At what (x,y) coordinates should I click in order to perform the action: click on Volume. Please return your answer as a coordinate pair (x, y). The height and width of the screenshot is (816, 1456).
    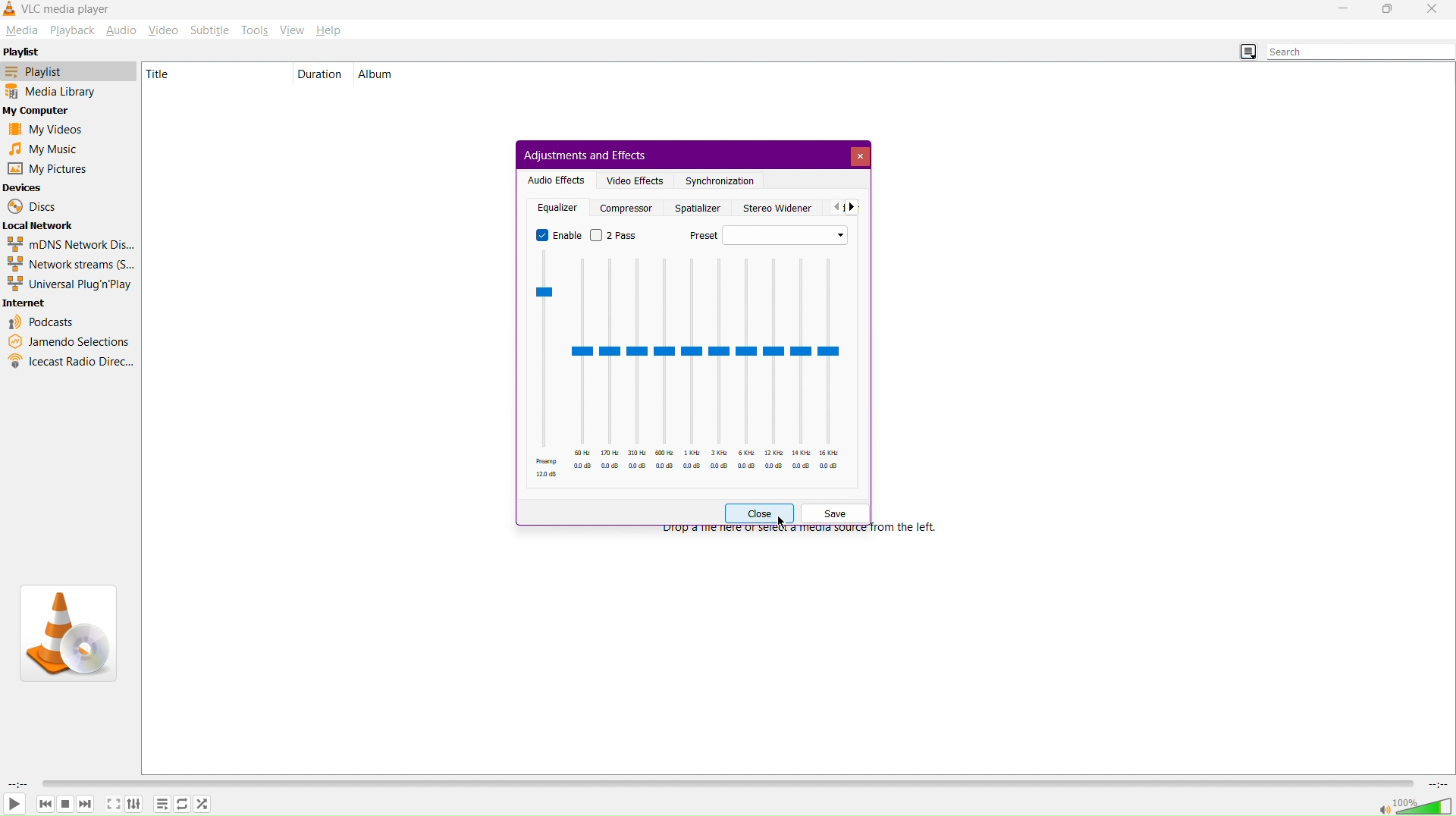
    Looking at the image, I should click on (1406, 805).